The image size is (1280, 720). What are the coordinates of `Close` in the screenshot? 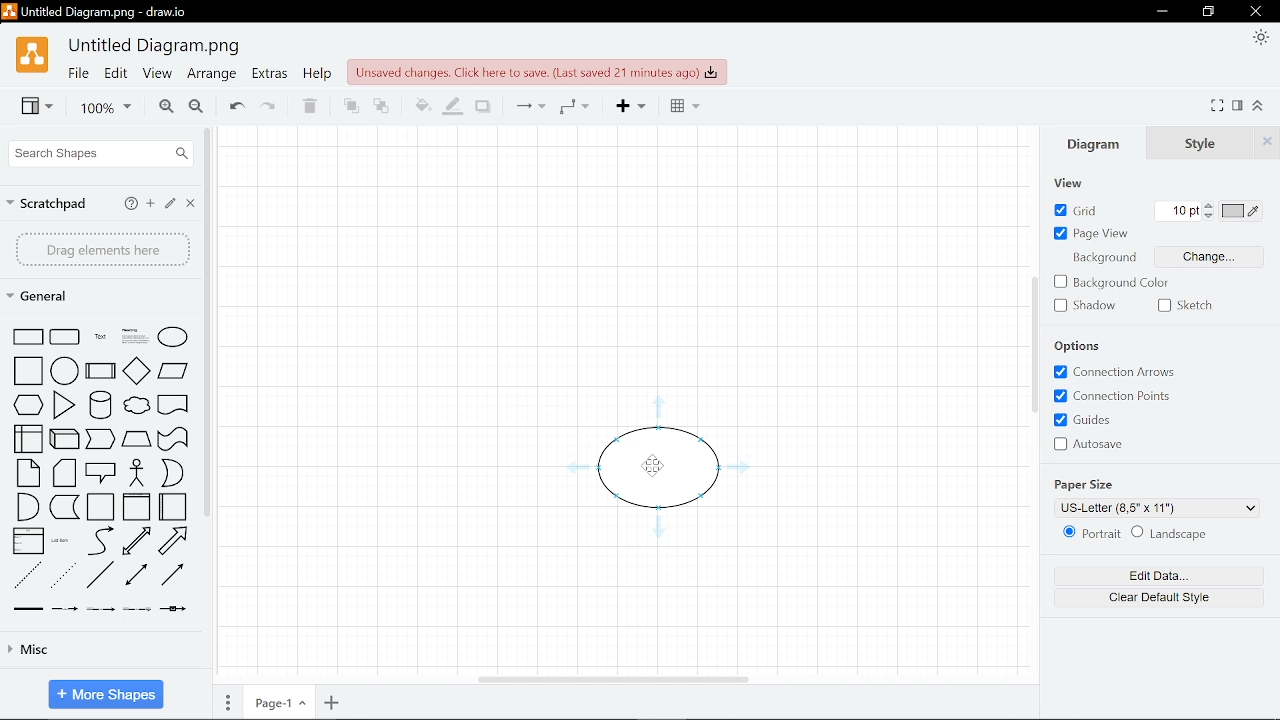 It's located at (191, 203).